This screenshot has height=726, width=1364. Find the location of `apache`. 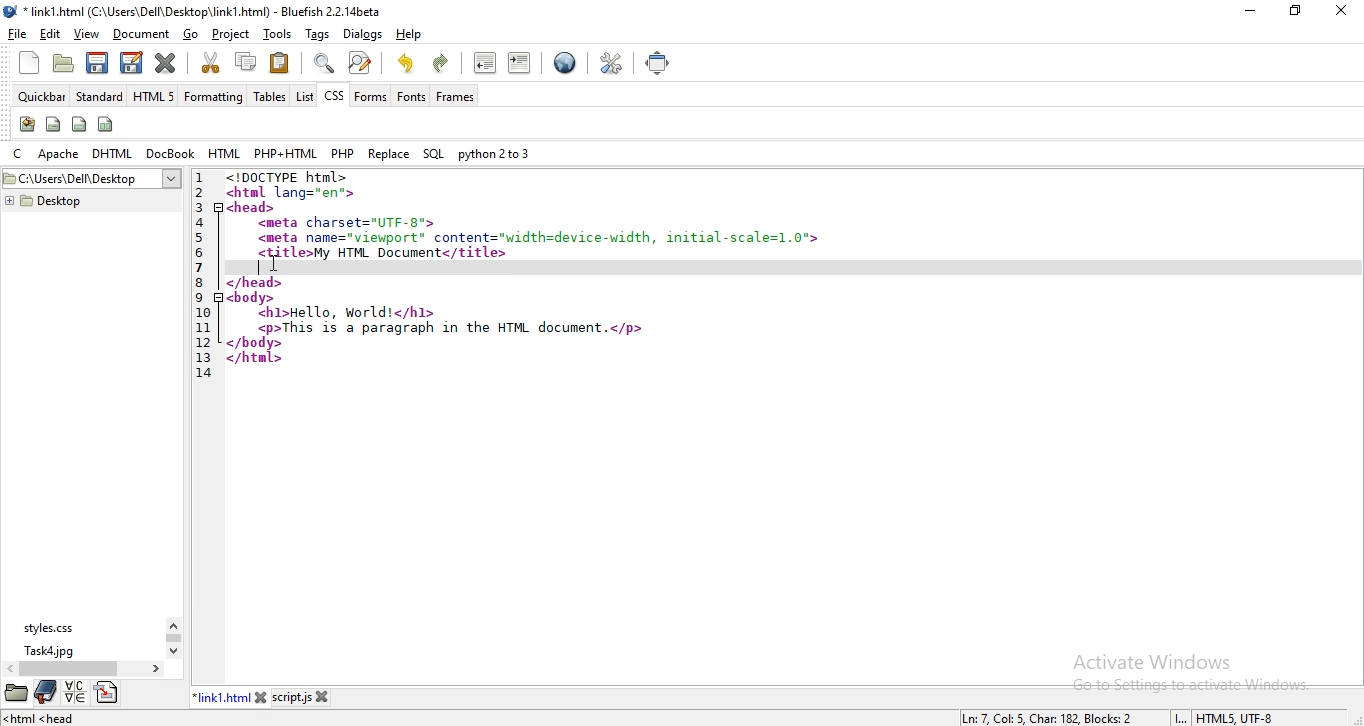

apache is located at coordinates (58, 153).